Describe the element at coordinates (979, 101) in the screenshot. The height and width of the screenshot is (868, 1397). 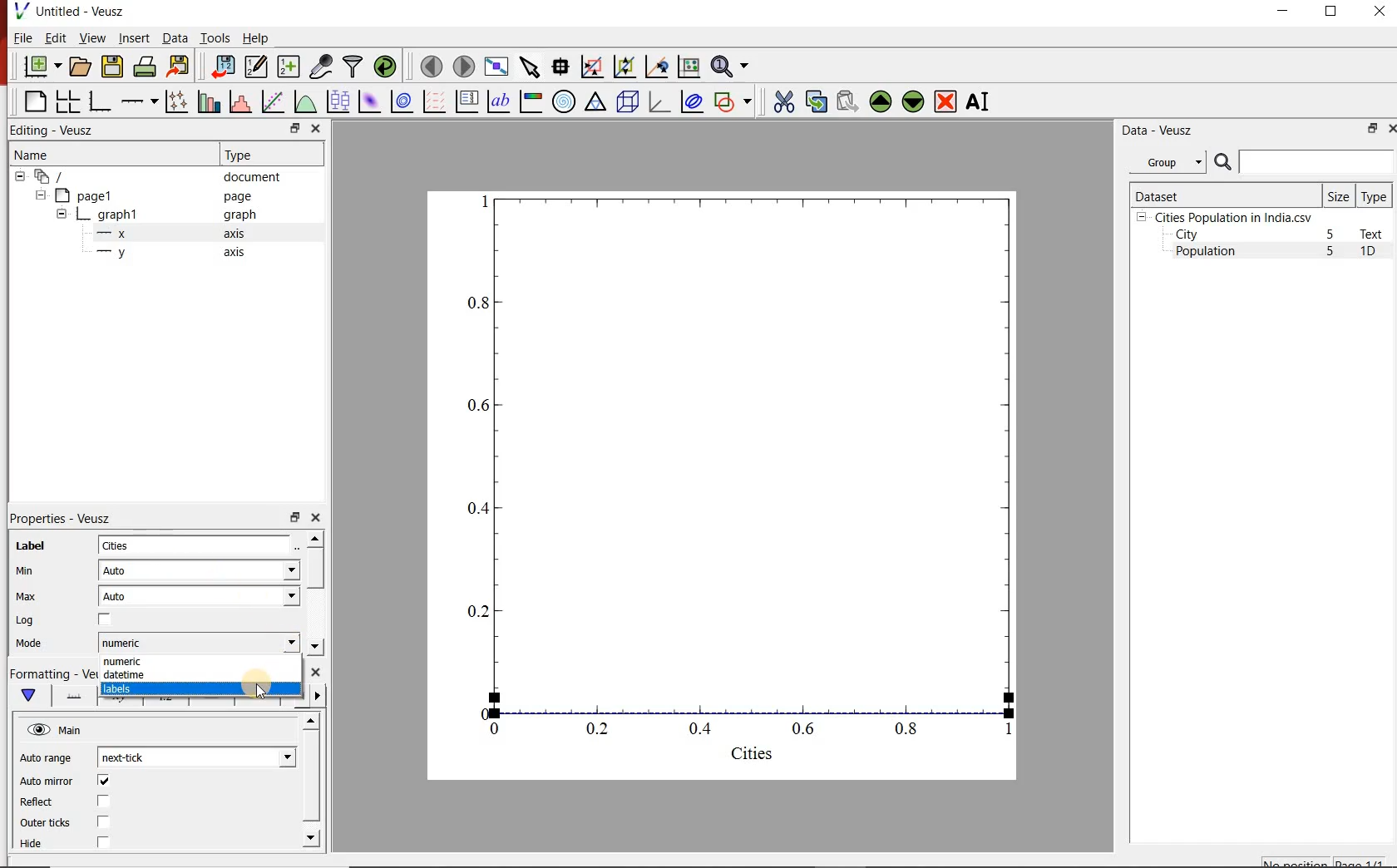
I see `renames the selected widget` at that location.